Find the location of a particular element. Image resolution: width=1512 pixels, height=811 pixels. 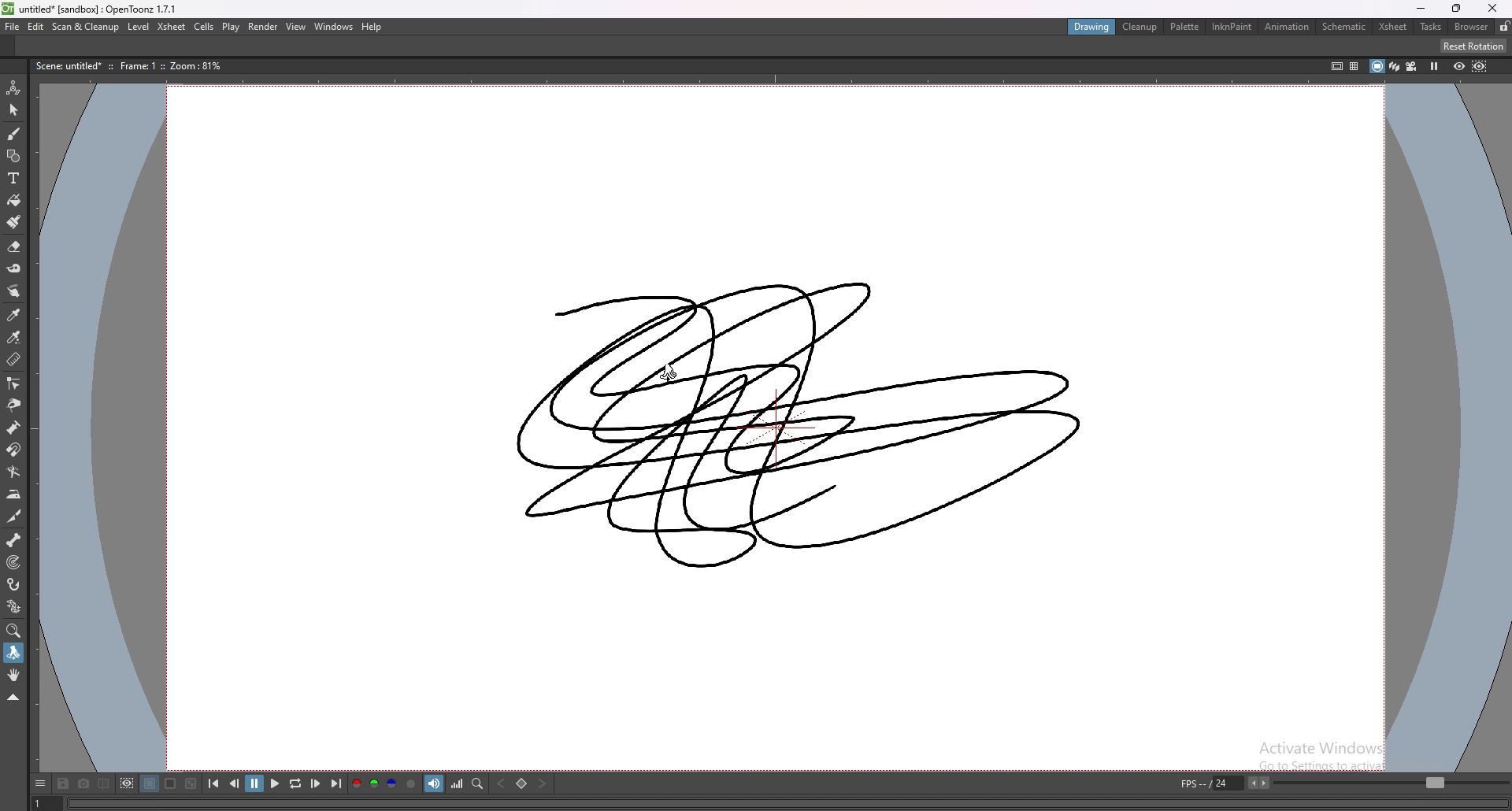

blue channel is located at coordinates (391, 783).